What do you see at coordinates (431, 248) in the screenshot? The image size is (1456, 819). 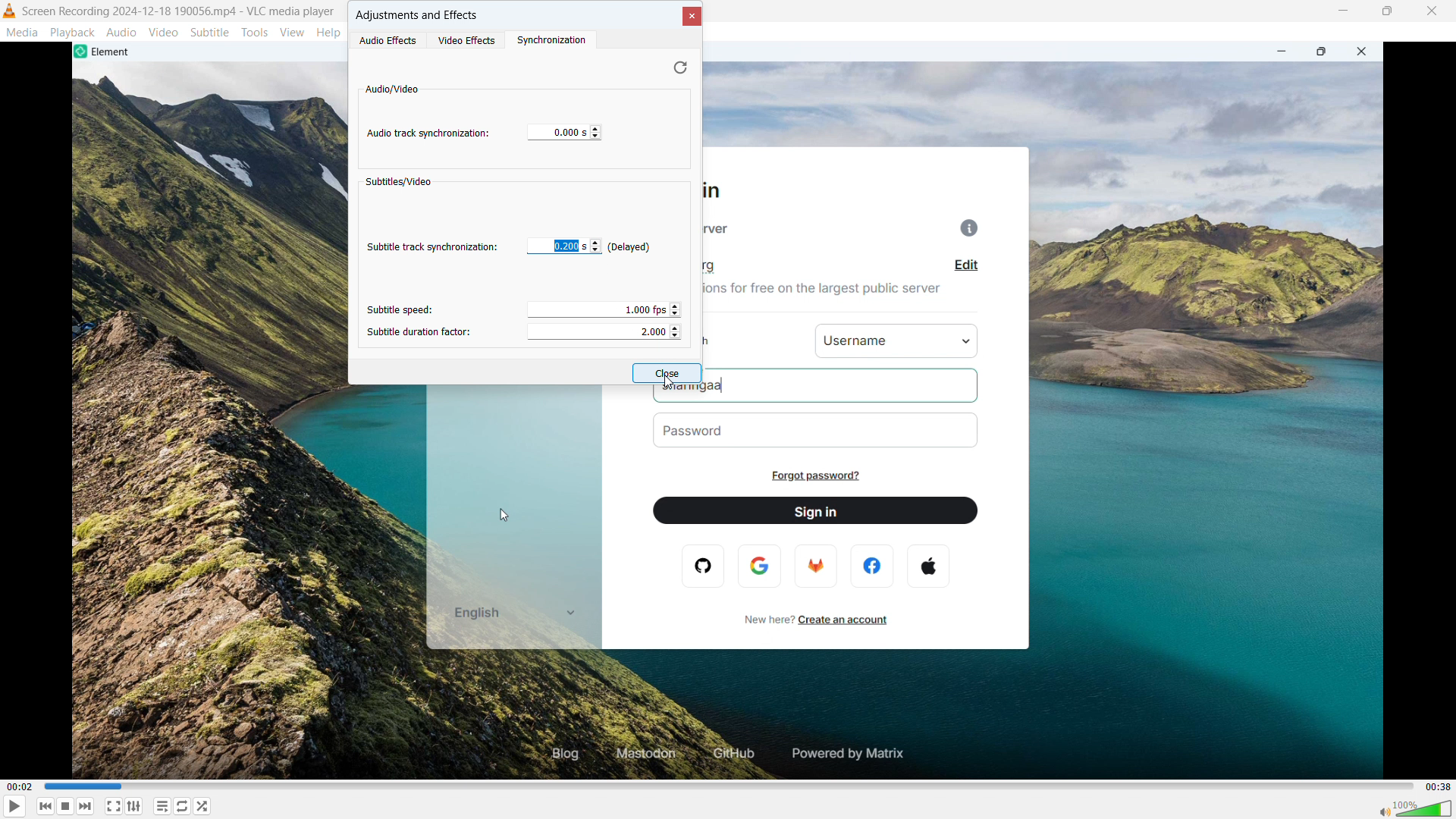 I see `subtitle track synchronization` at bounding box center [431, 248].